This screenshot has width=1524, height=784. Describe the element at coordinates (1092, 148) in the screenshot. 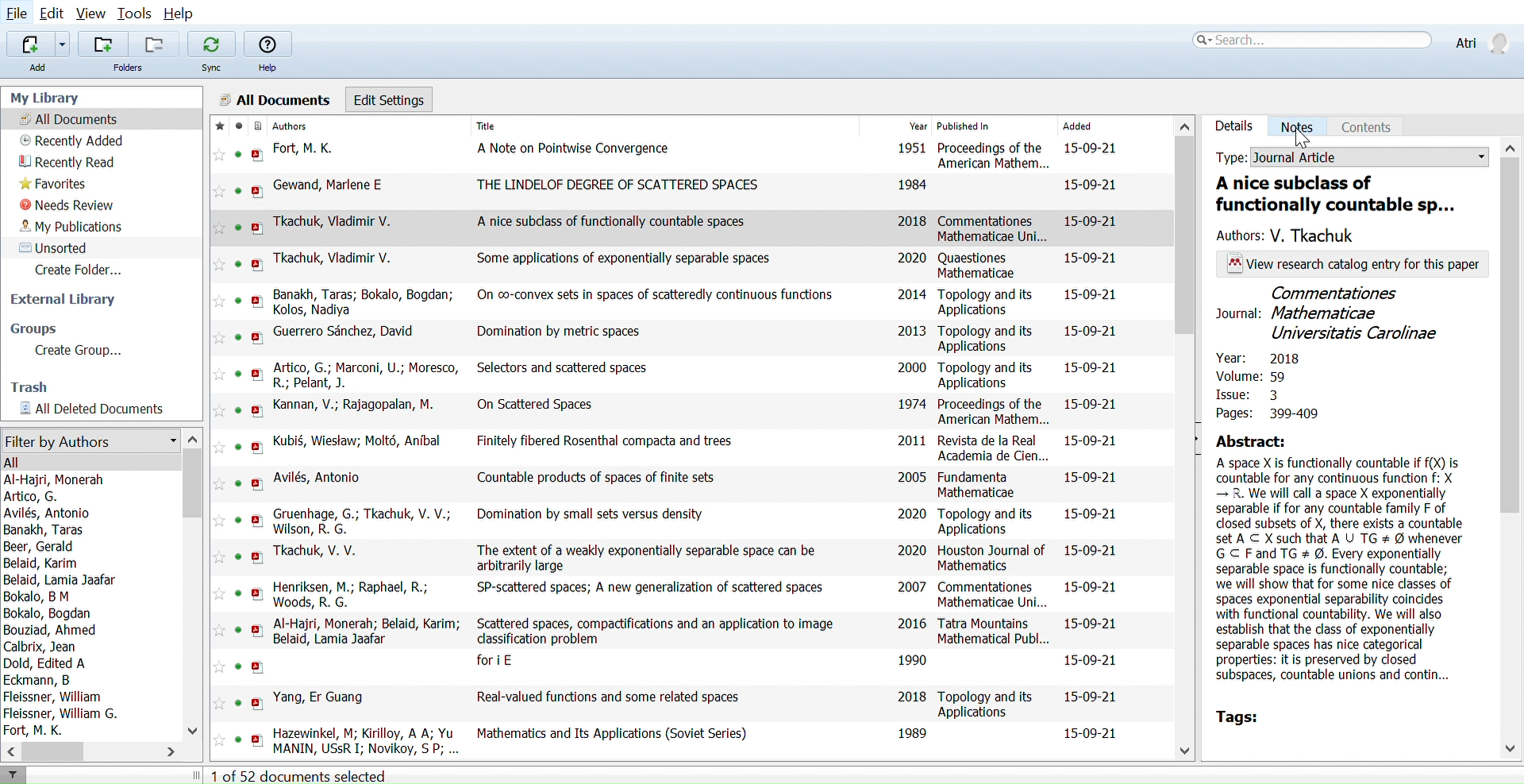

I see `15-09-21` at that location.